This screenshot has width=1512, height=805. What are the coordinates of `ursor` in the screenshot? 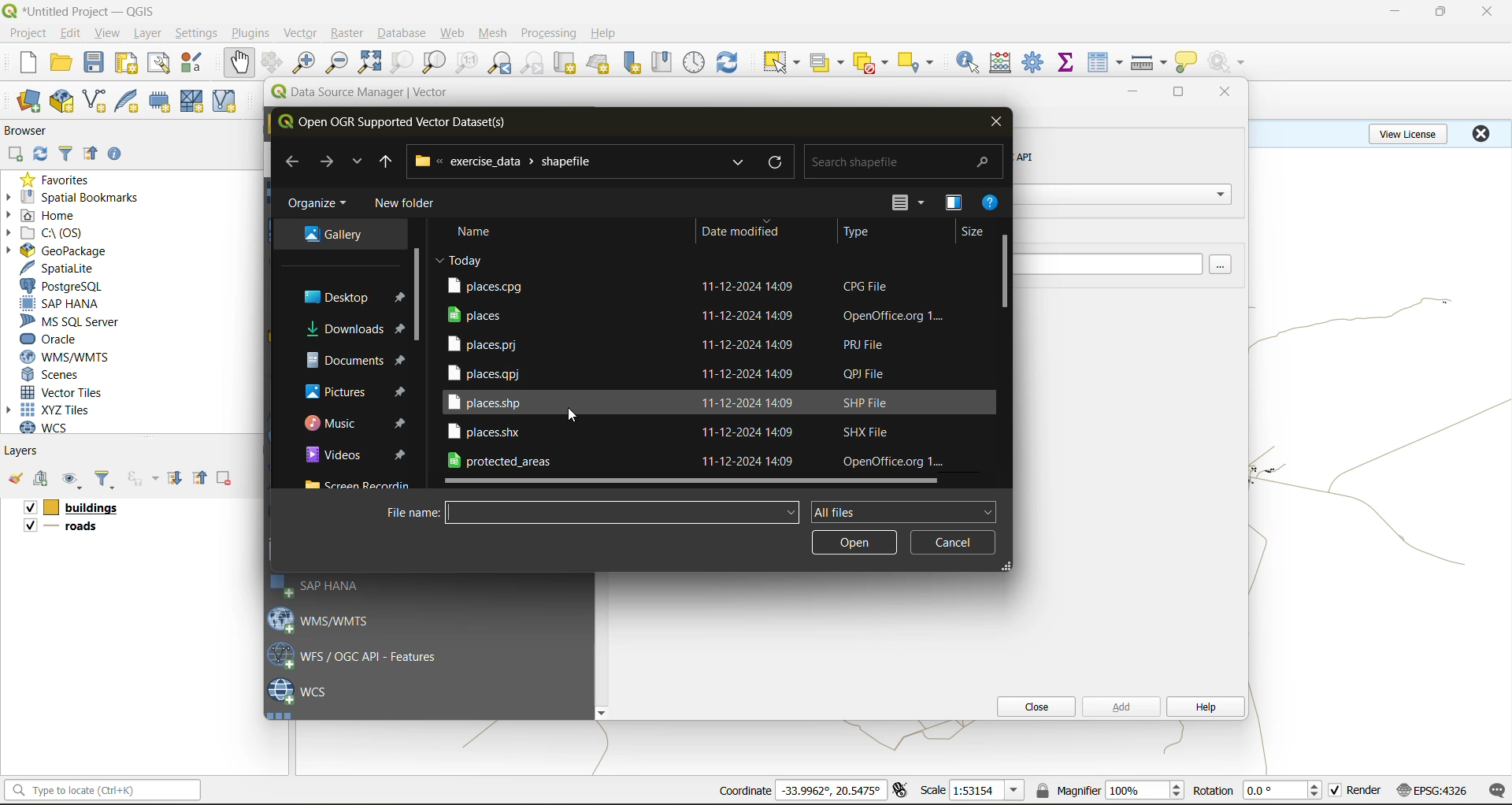 It's located at (575, 418).